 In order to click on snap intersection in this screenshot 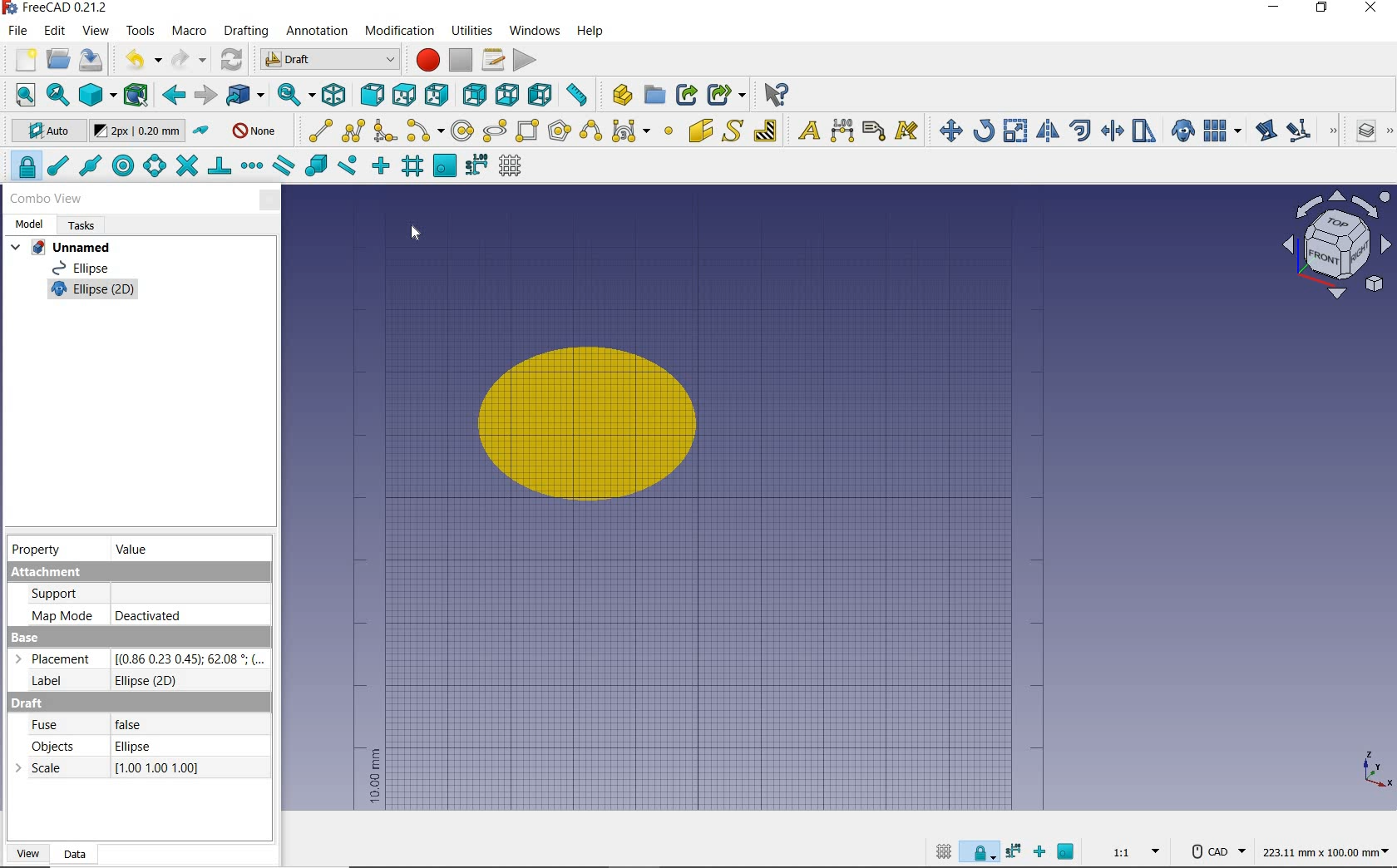, I will do `click(185, 167)`.